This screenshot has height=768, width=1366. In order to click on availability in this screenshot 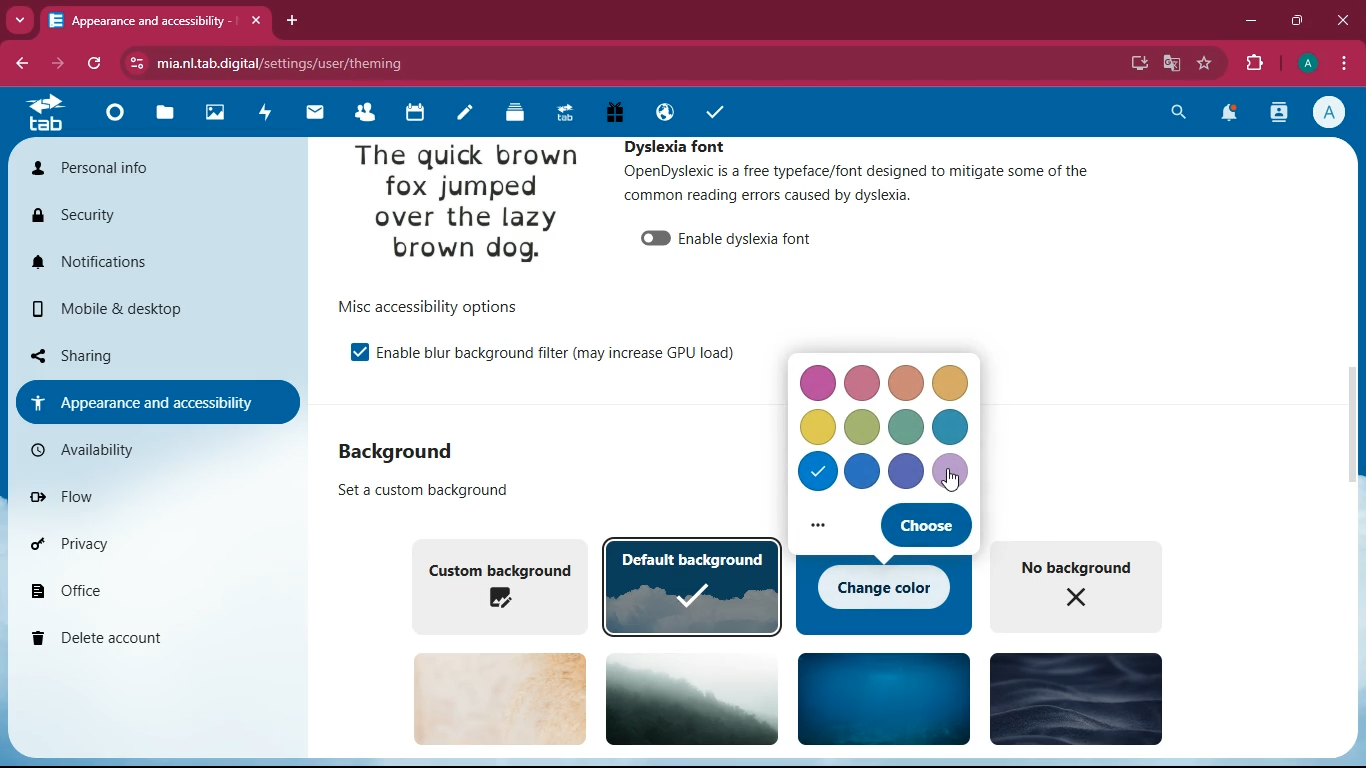, I will do `click(106, 450)`.